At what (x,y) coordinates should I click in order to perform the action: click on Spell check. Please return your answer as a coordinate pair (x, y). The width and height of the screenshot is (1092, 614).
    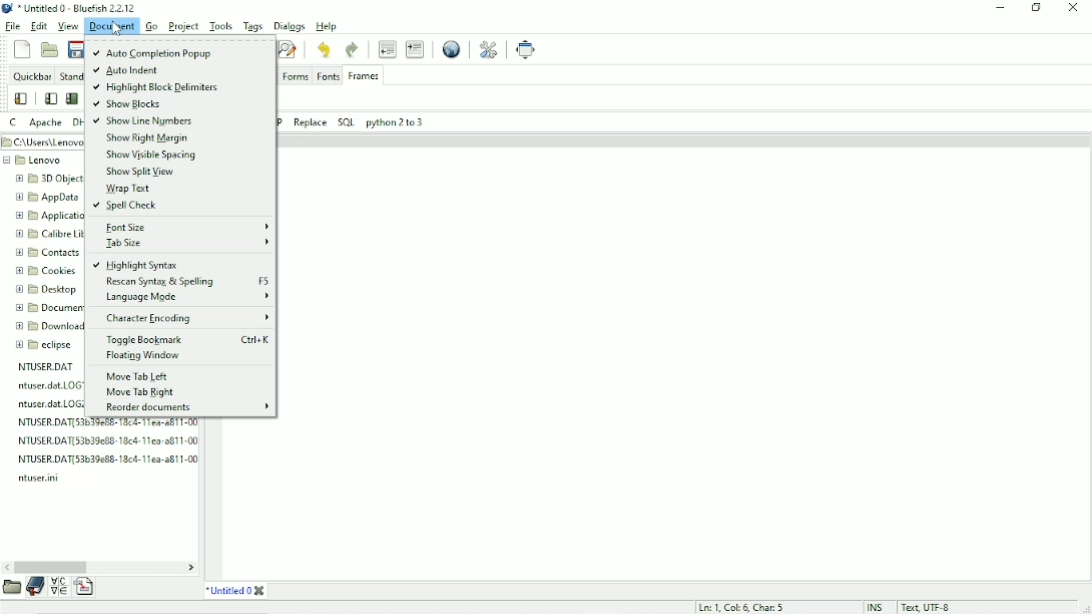
    Looking at the image, I should click on (128, 207).